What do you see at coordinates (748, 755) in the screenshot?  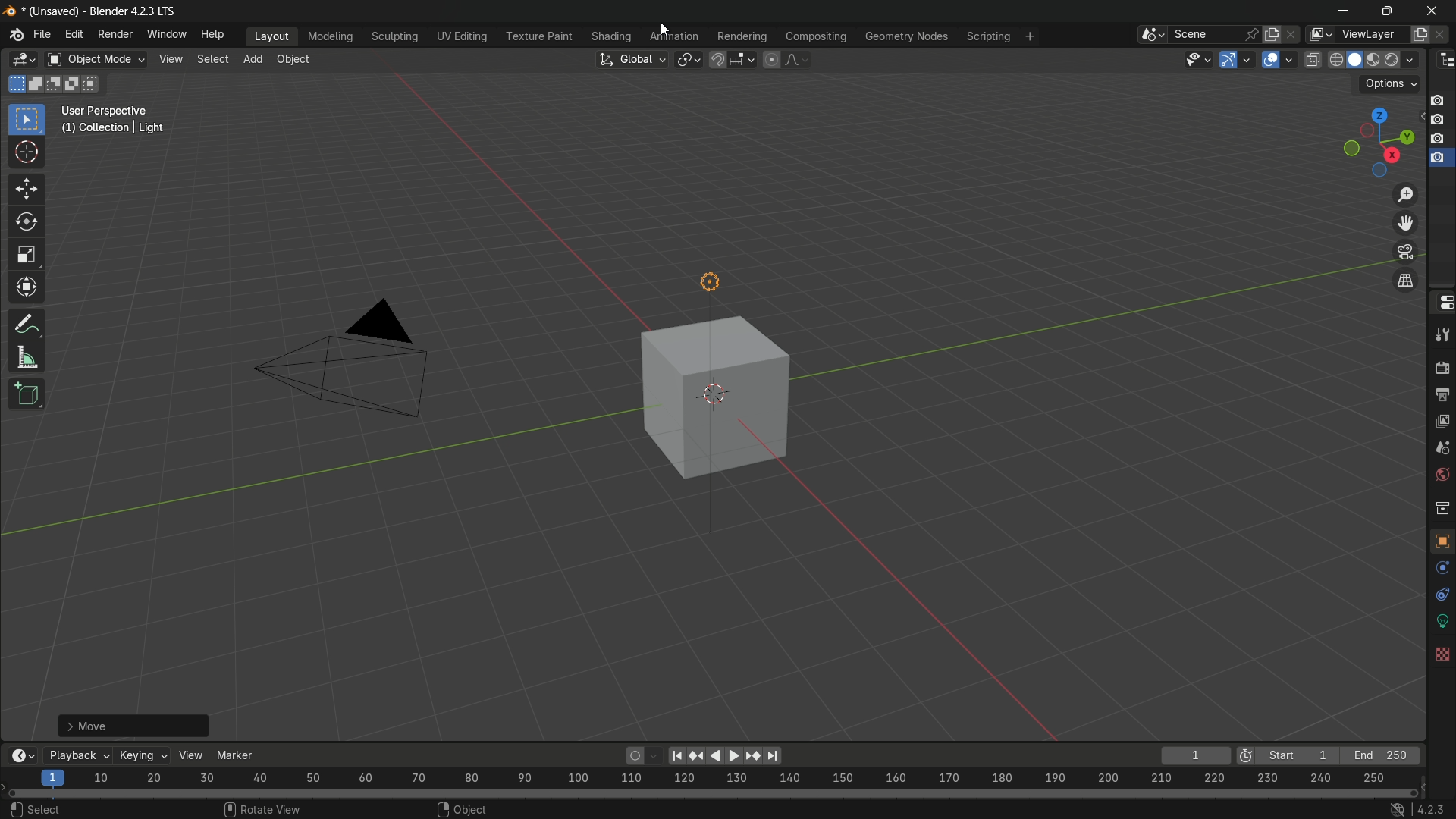 I see `play animation` at bounding box center [748, 755].